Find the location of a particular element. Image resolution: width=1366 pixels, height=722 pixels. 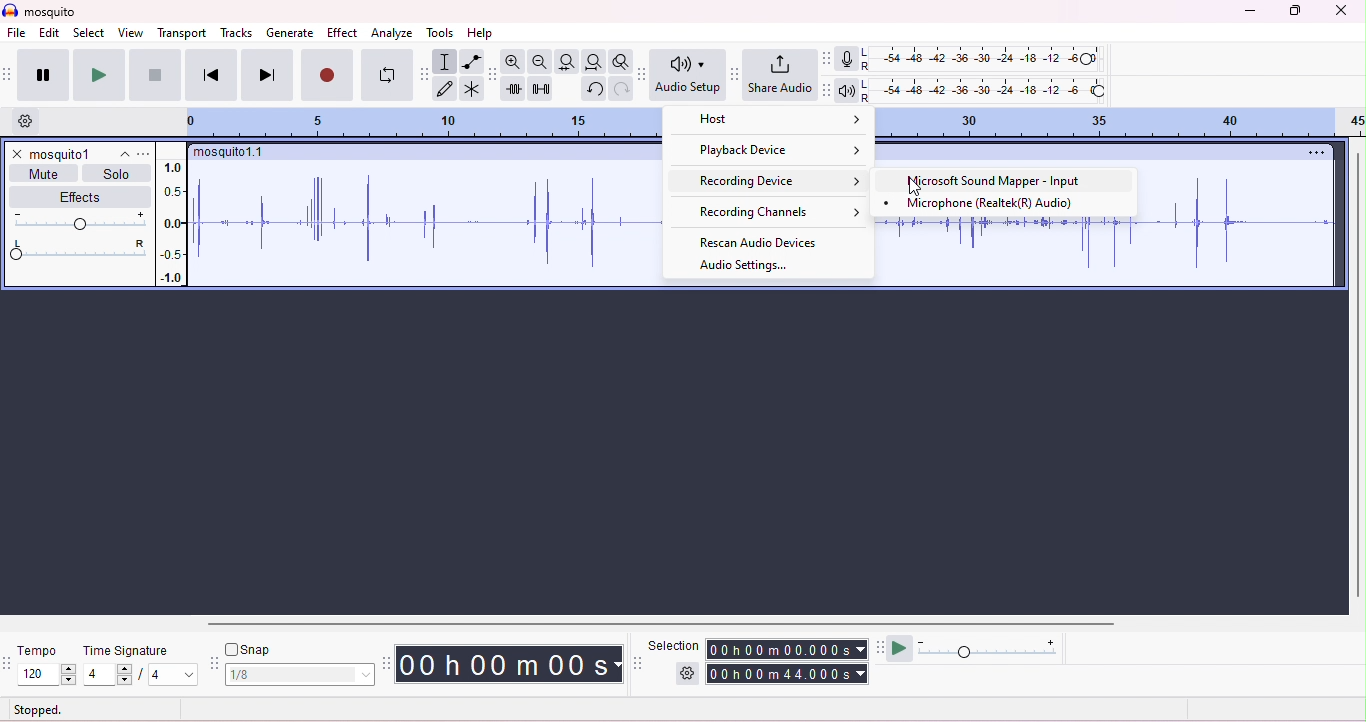

playback device is located at coordinates (777, 151).